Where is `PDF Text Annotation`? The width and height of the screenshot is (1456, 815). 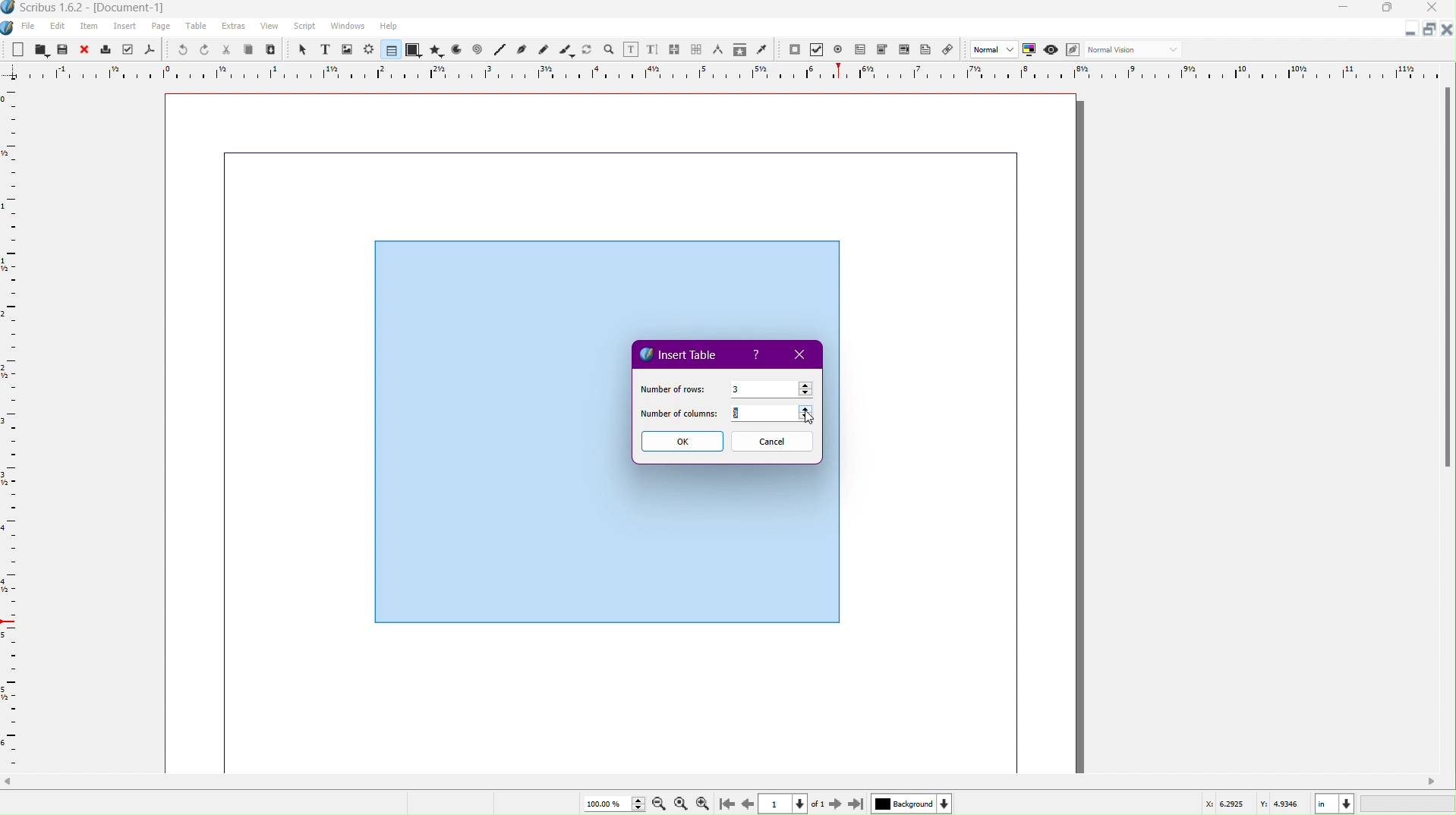 PDF Text Annotation is located at coordinates (928, 52).